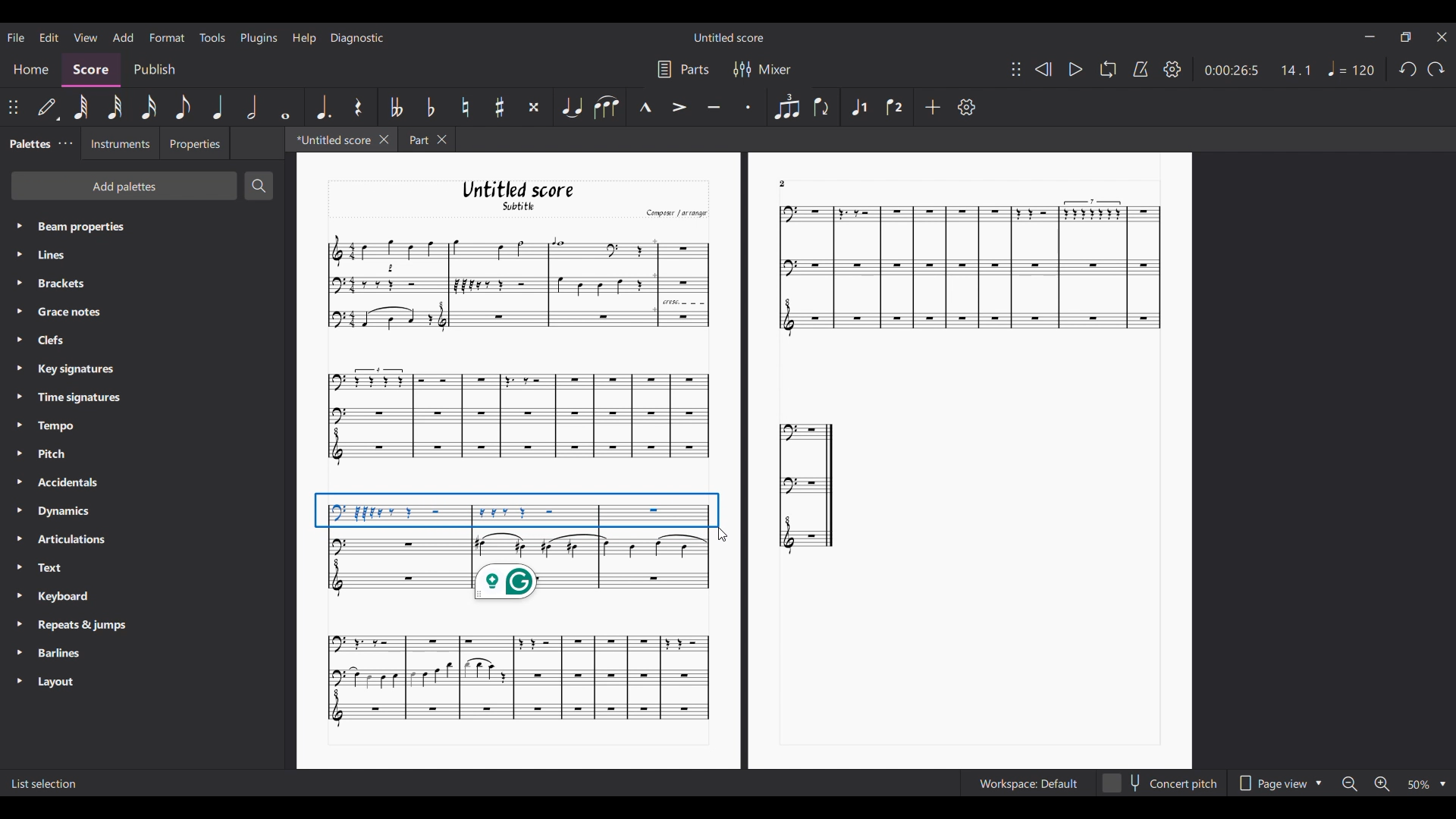  What do you see at coordinates (27, 142) in the screenshot?
I see `Palettes ` at bounding box center [27, 142].